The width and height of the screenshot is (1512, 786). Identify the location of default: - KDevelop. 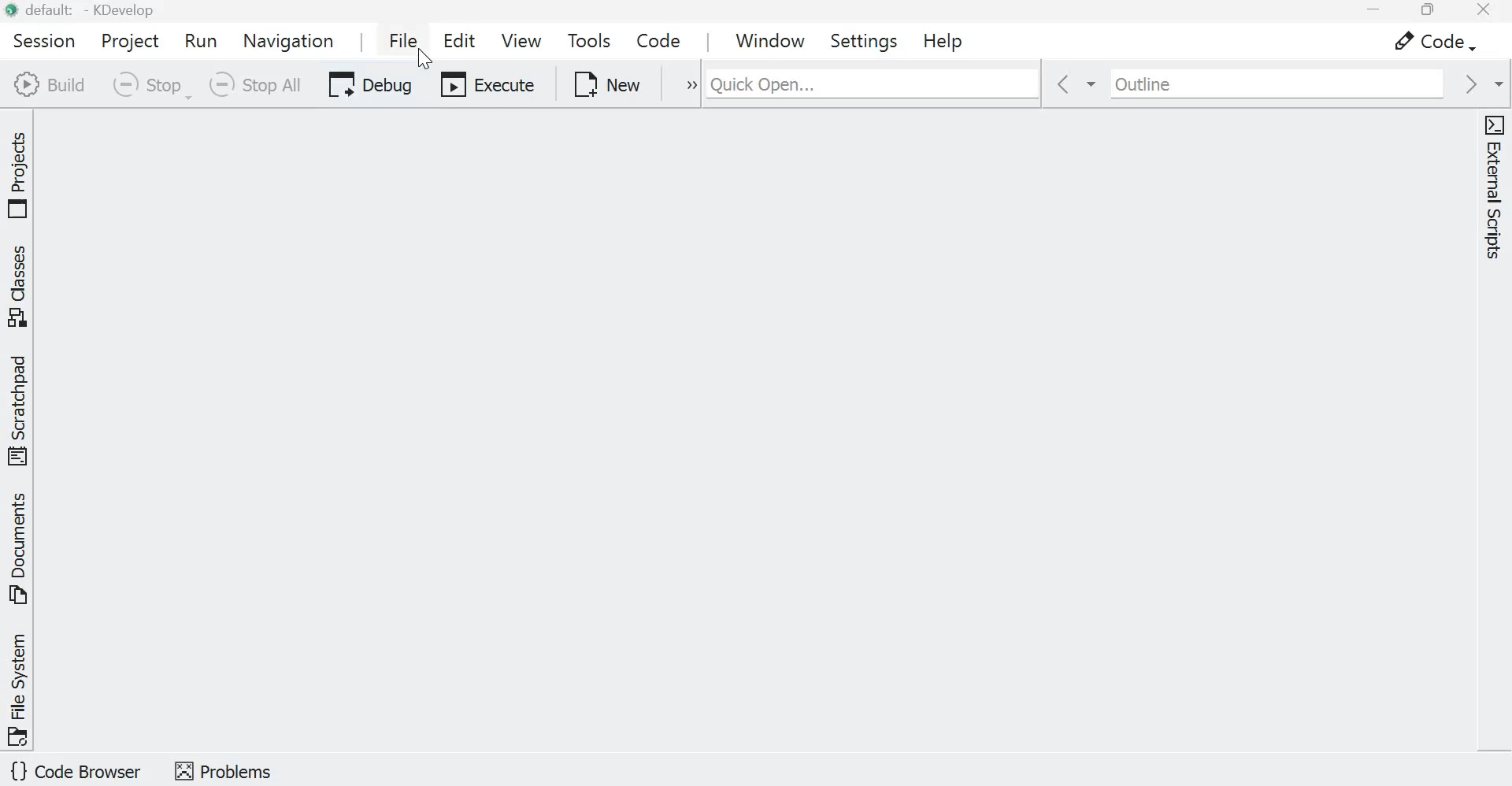
(85, 10).